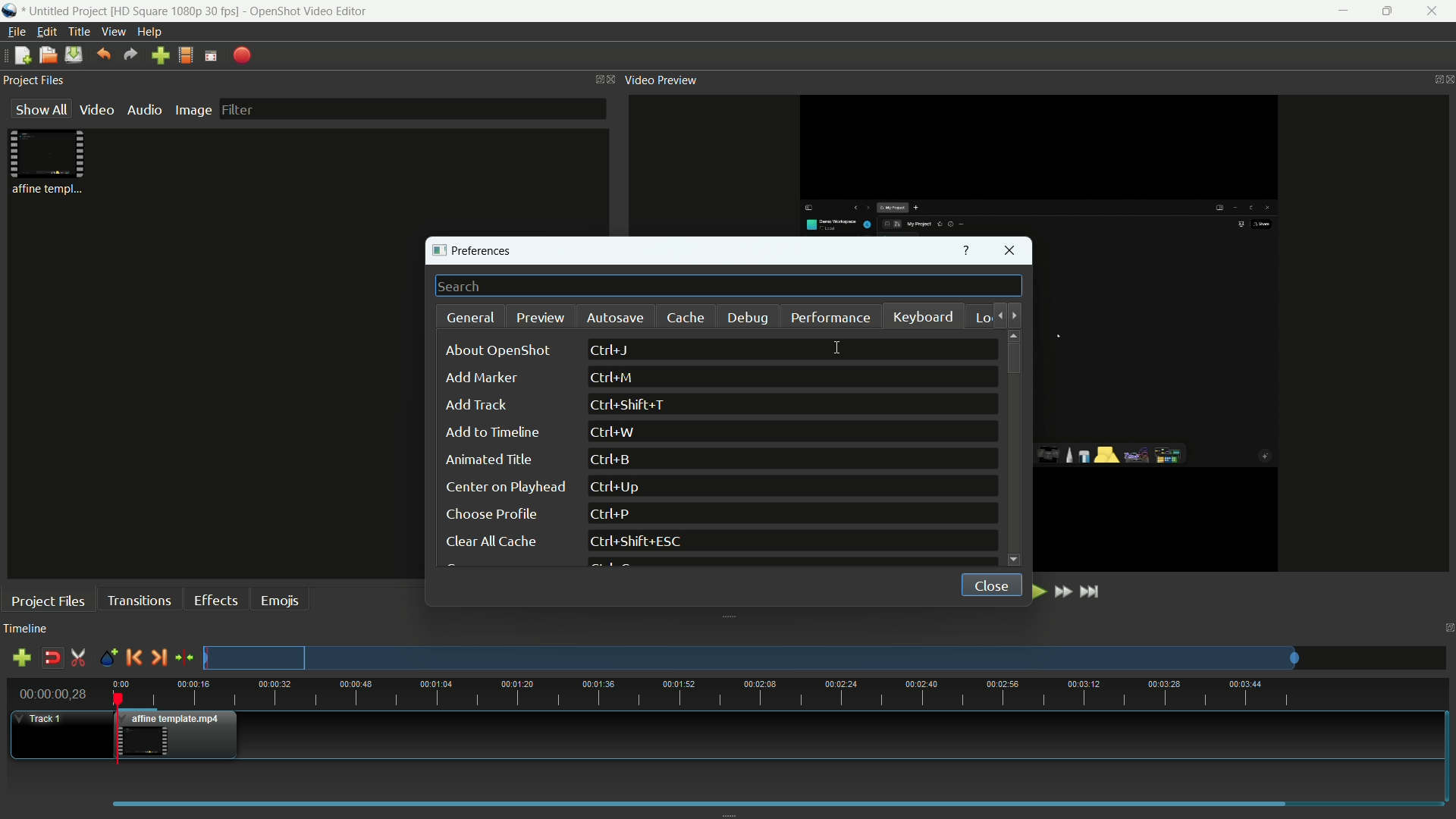  What do you see at coordinates (491, 514) in the screenshot?
I see `choose profile` at bounding box center [491, 514].